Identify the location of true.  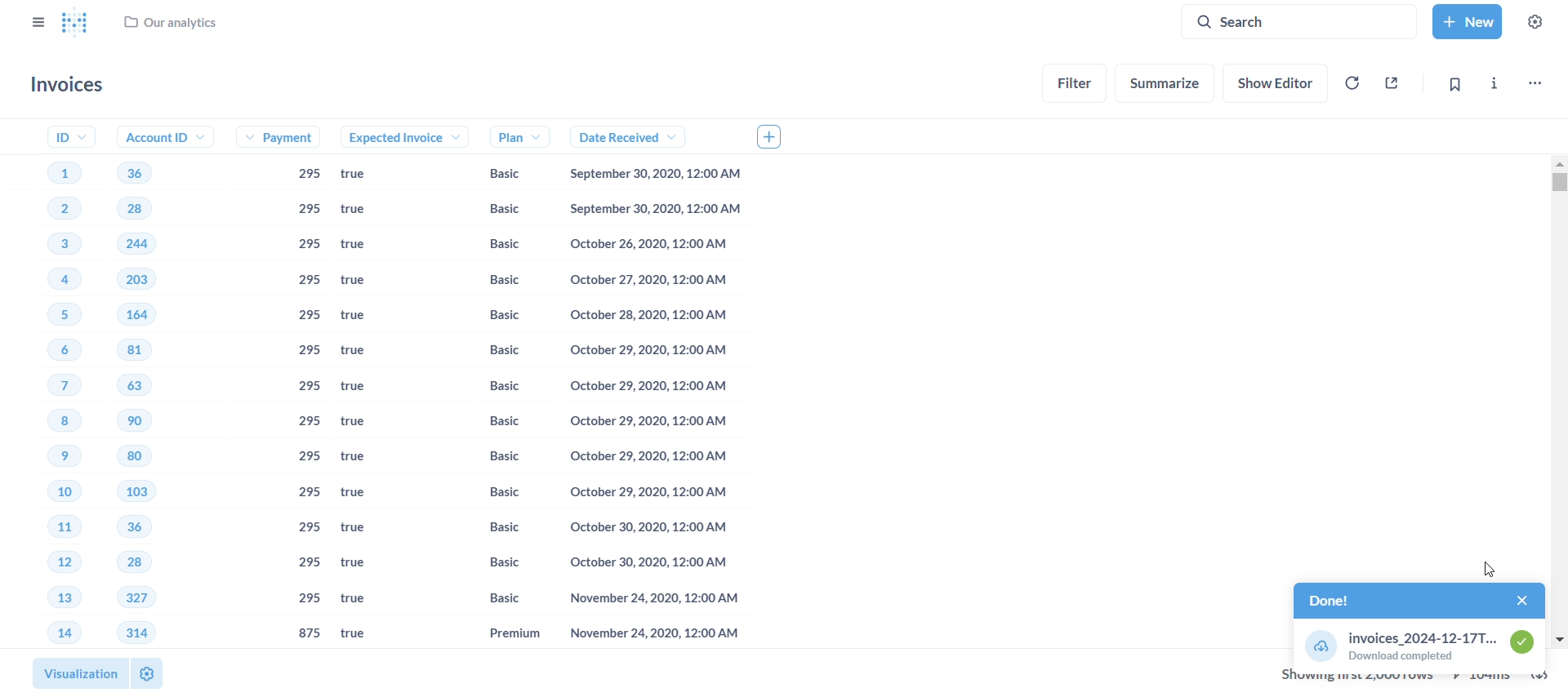
(365, 349).